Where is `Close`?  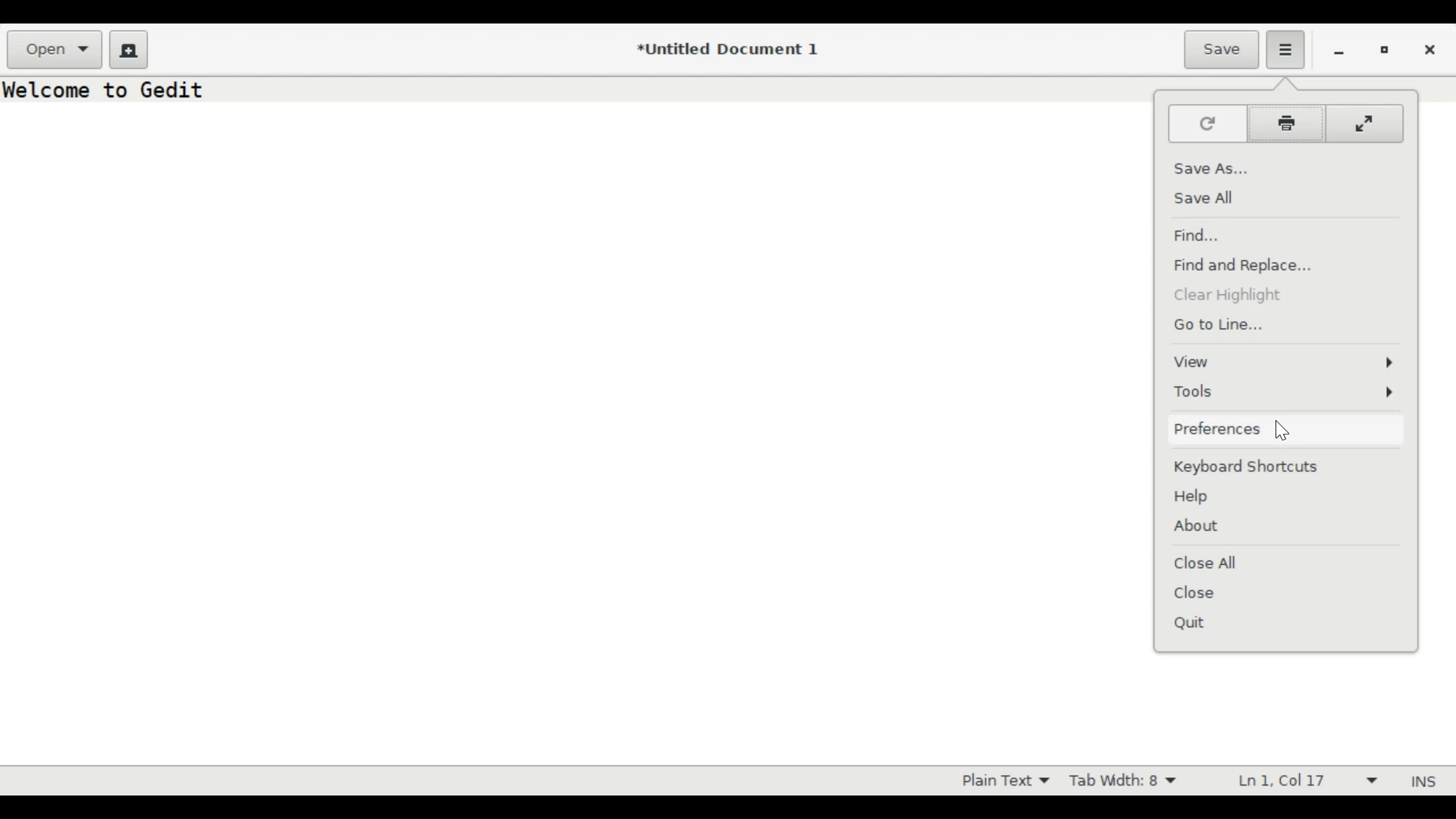 Close is located at coordinates (1431, 50).